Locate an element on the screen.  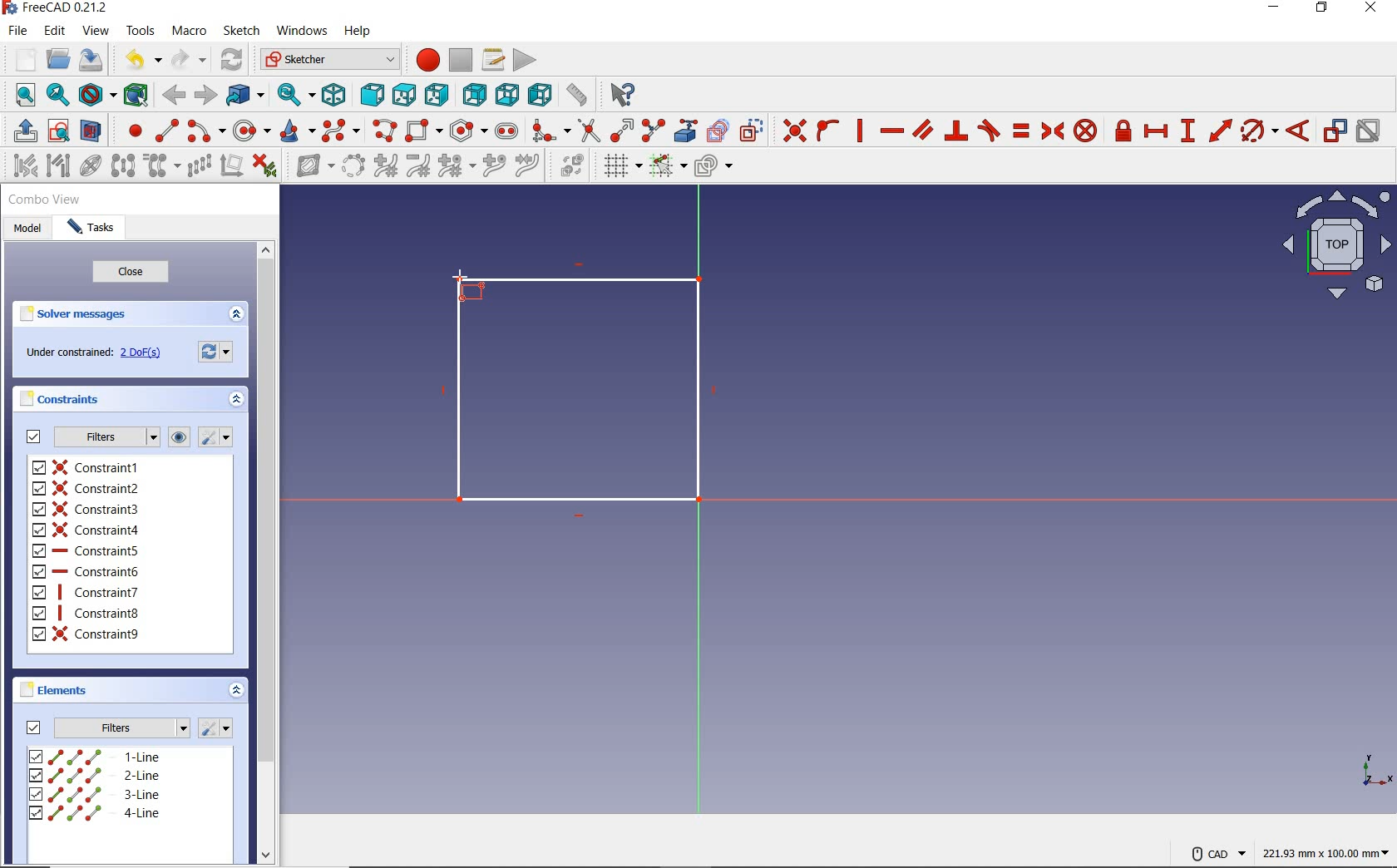
create polyline is located at coordinates (386, 131).